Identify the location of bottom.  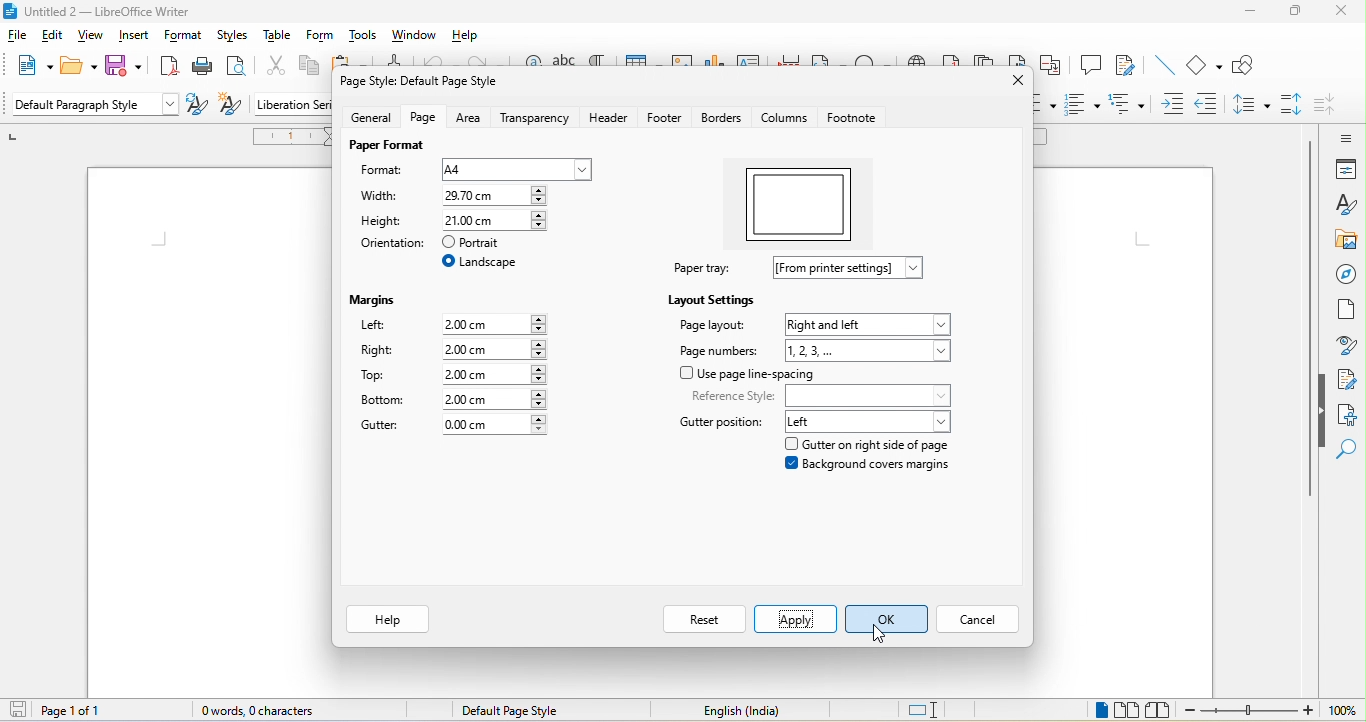
(387, 402).